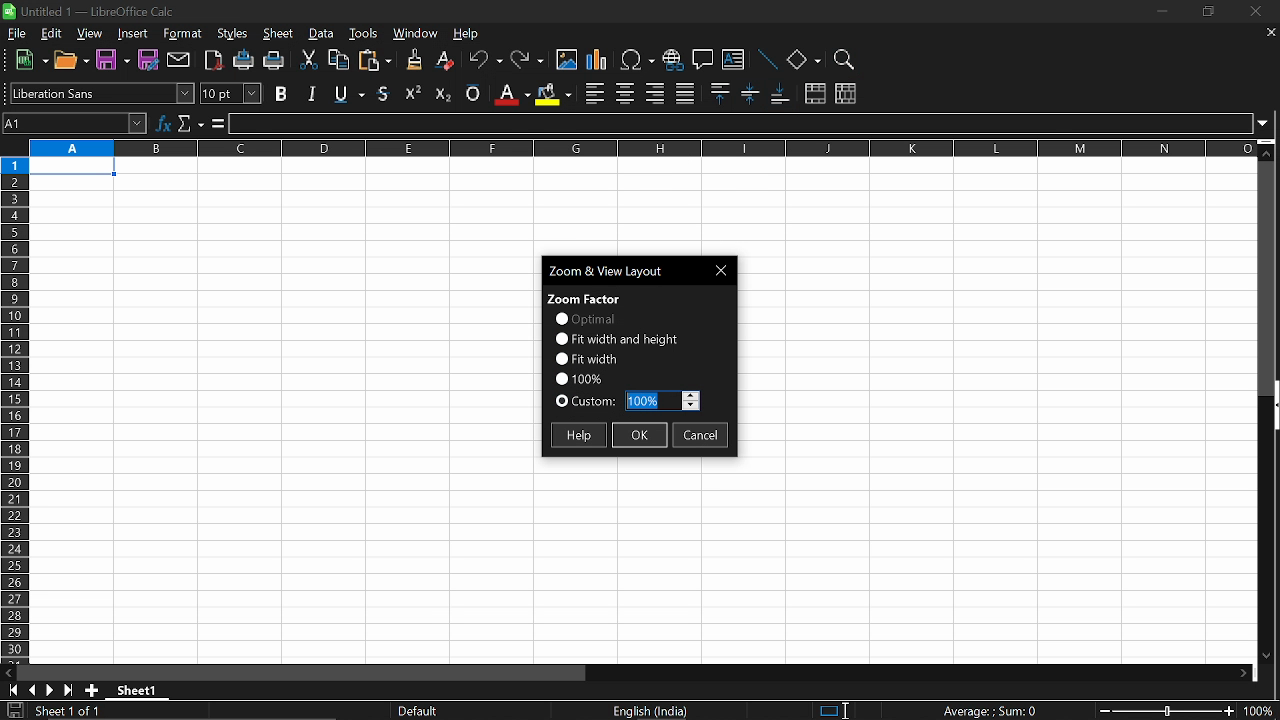  What do you see at coordinates (190, 121) in the screenshot?
I see `select function` at bounding box center [190, 121].